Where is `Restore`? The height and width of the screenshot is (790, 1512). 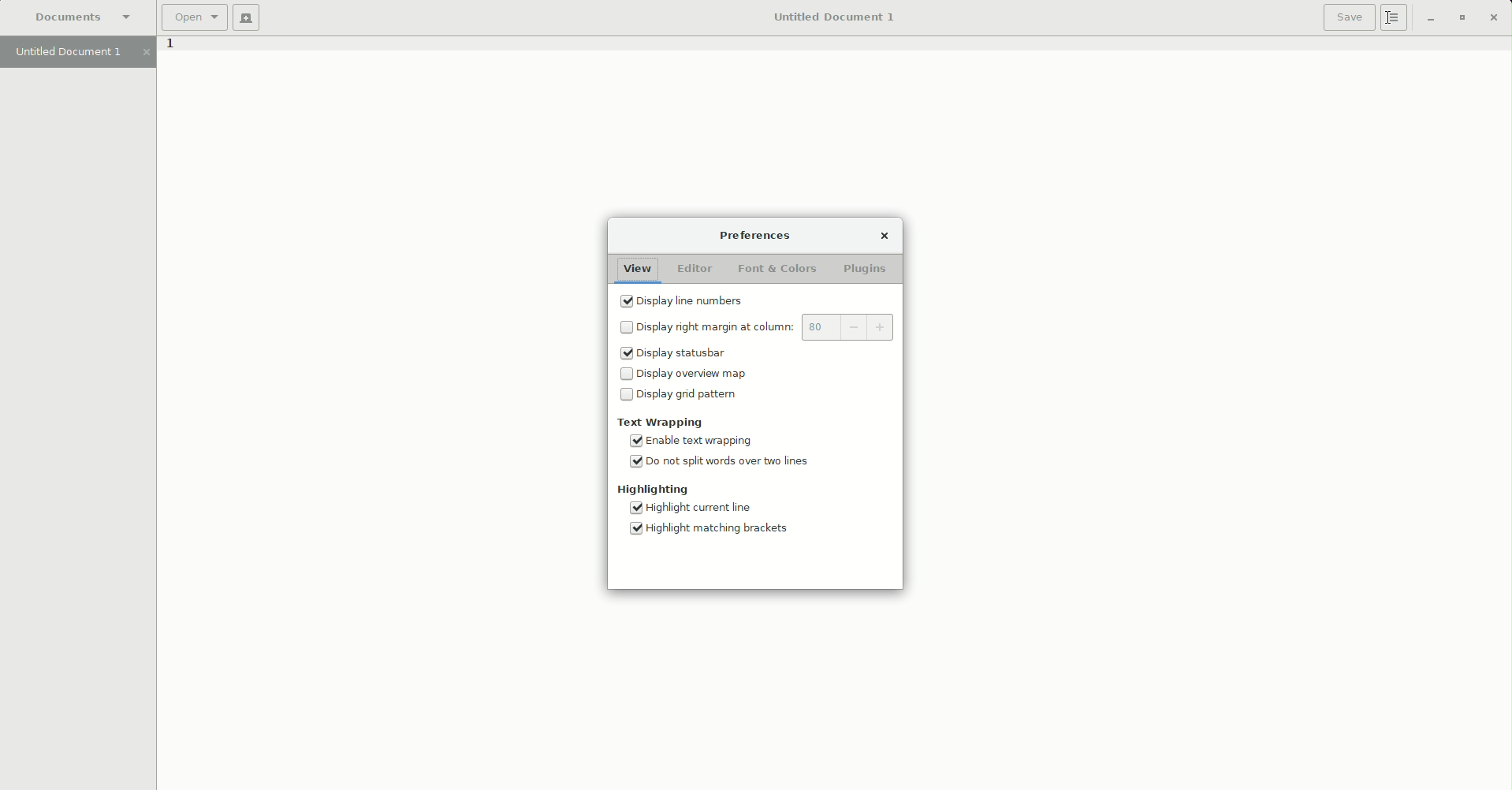
Restore is located at coordinates (1459, 18).